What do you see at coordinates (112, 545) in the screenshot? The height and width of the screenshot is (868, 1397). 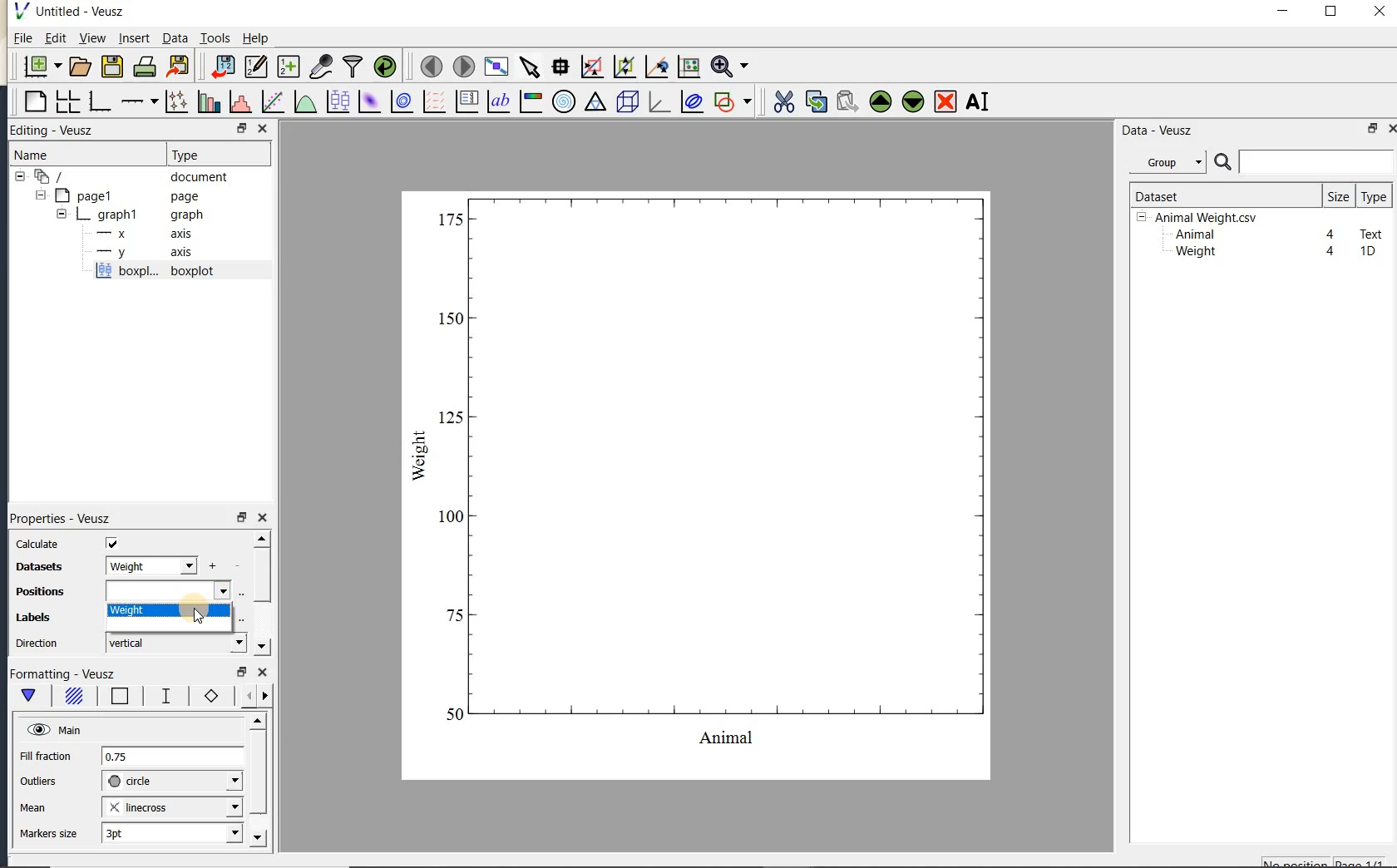 I see `check/uncheck` at bounding box center [112, 545].